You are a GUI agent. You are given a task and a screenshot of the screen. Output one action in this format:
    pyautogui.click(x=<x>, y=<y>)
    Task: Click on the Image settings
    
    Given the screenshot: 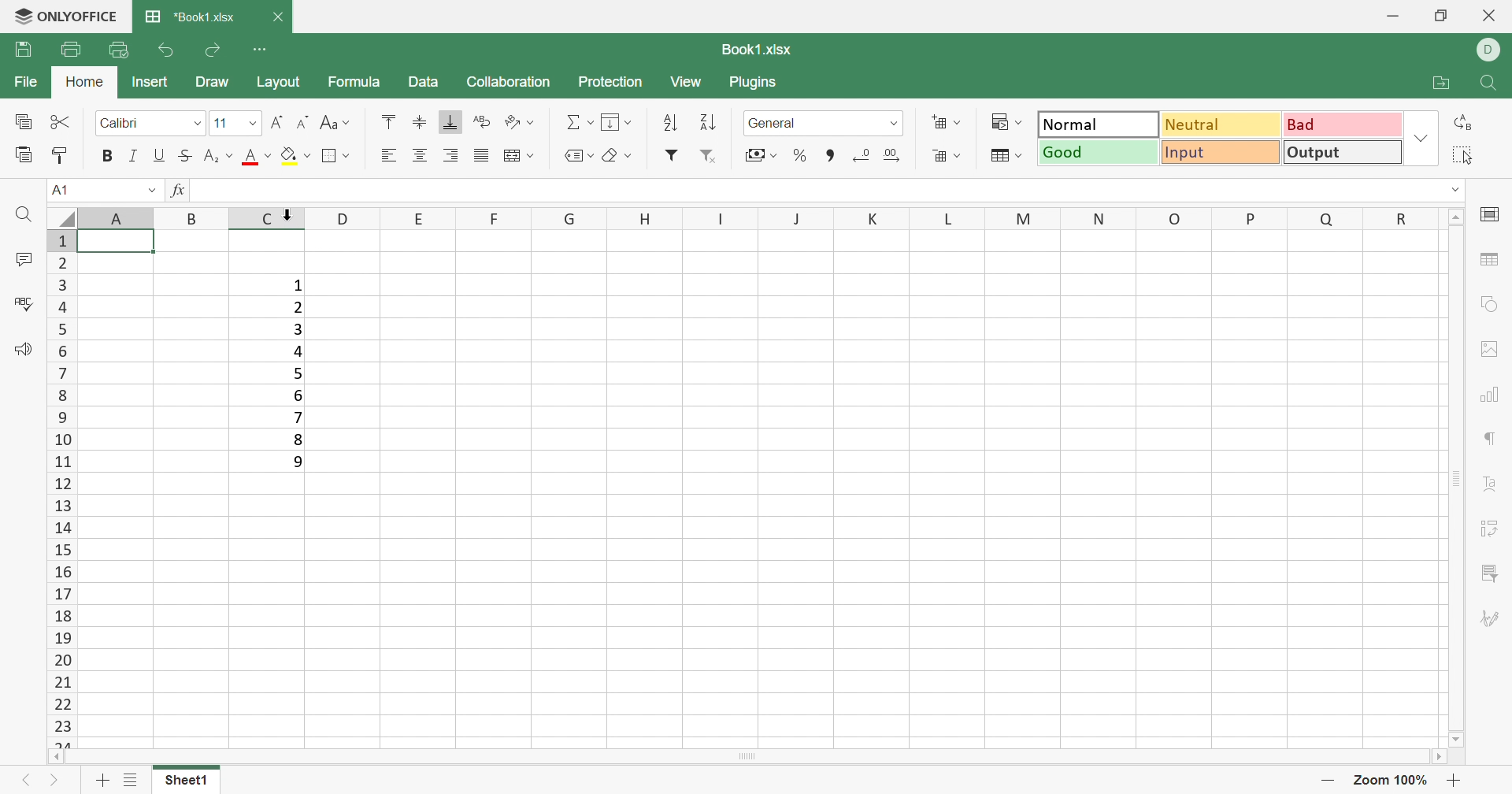 What is the action you would take?
    pyautogui.click(x=1490, y=347)
    